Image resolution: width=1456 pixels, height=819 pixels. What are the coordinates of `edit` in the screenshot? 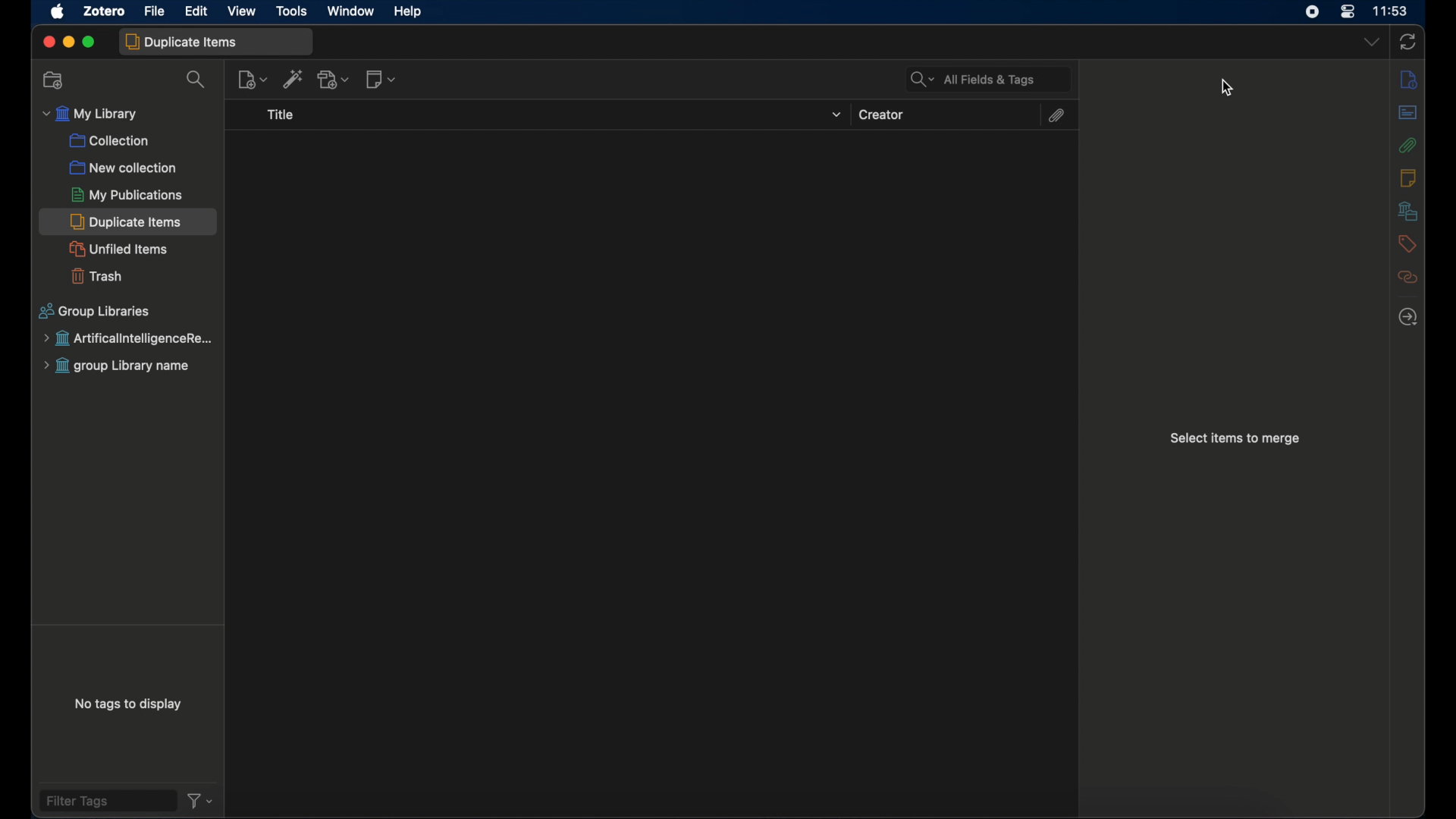 It's located at (198, 11).